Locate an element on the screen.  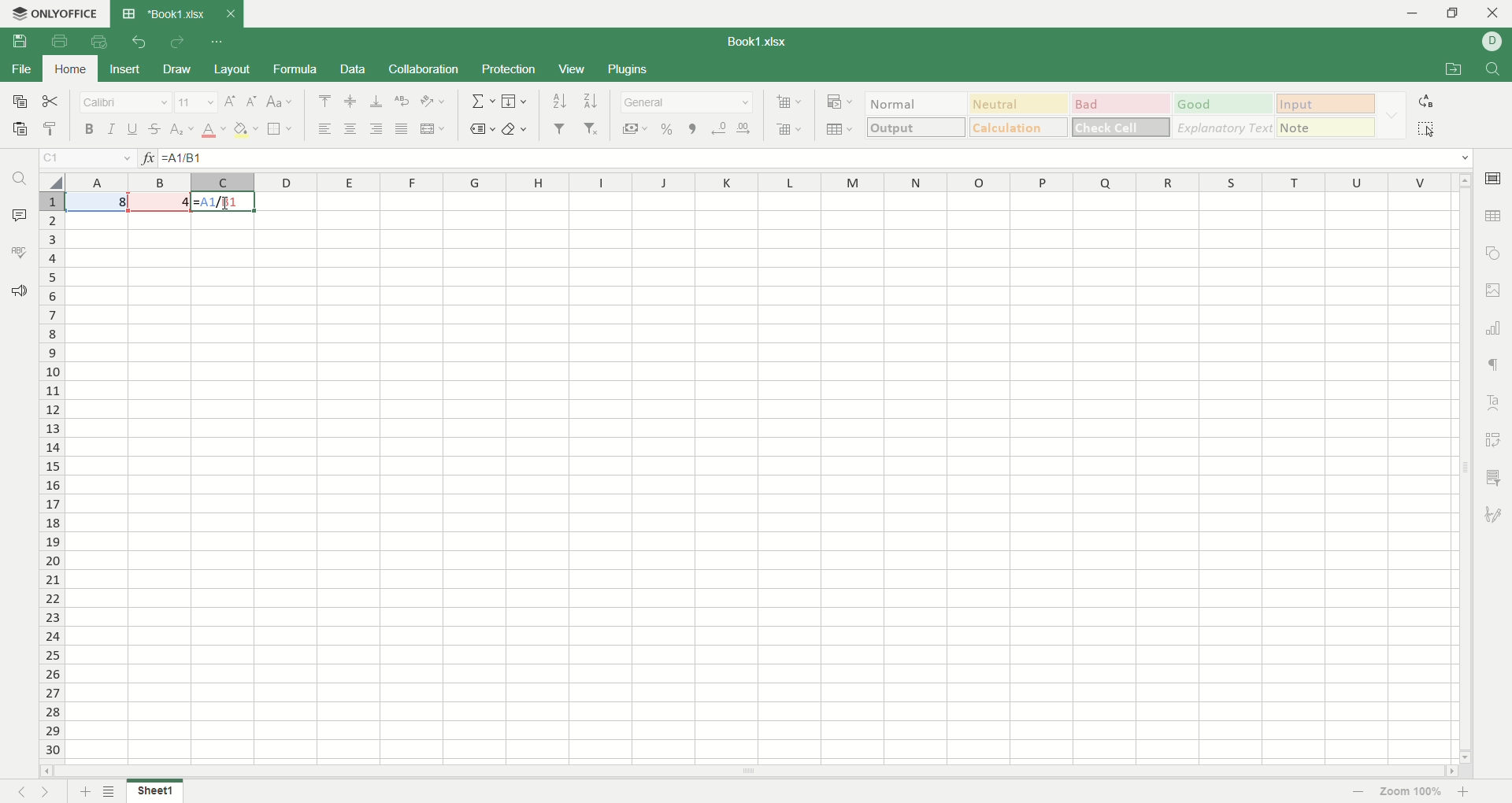
orientation is located at coordinates (435, 102).